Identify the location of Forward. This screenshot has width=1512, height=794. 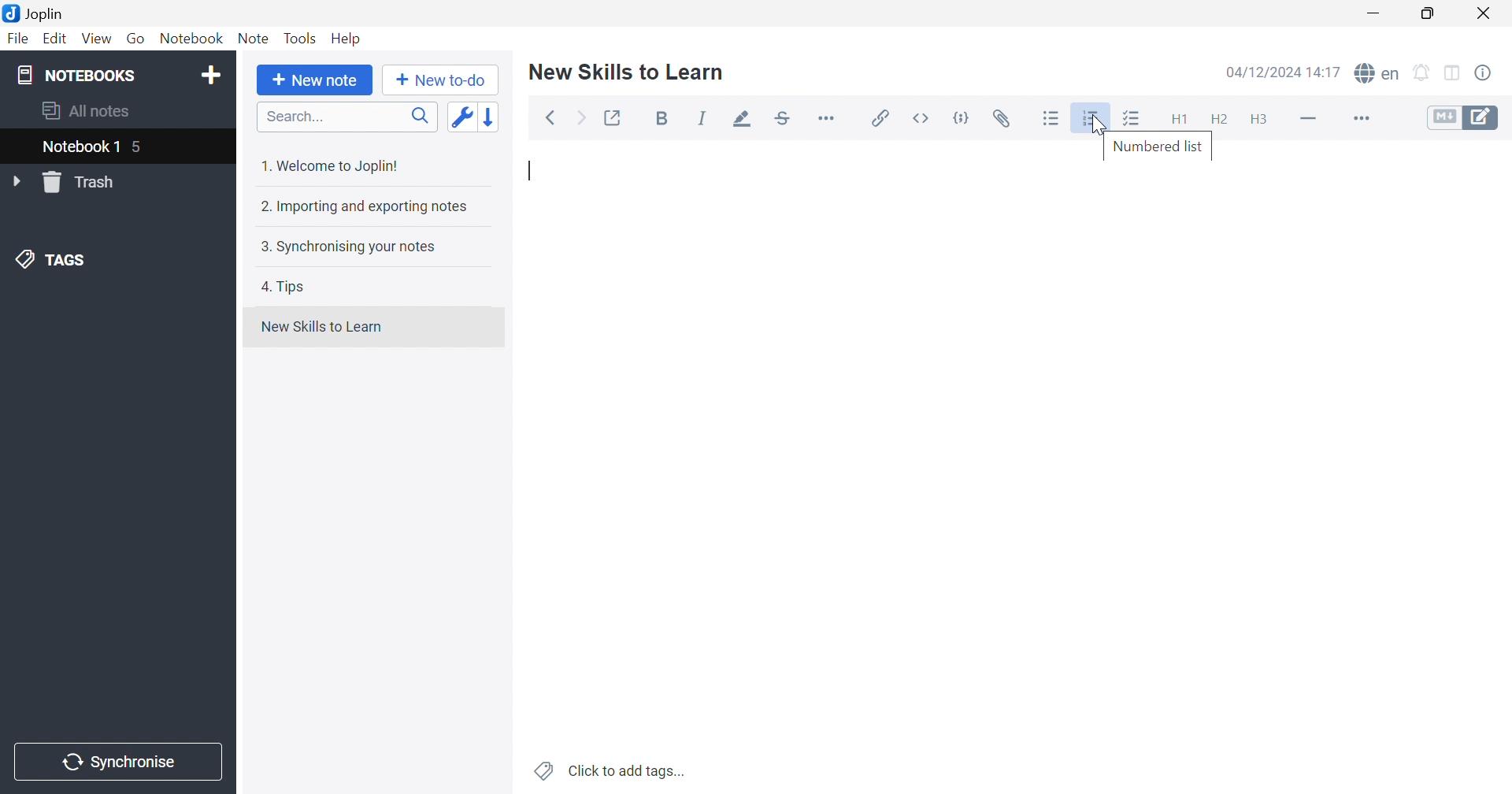
(582, 120).